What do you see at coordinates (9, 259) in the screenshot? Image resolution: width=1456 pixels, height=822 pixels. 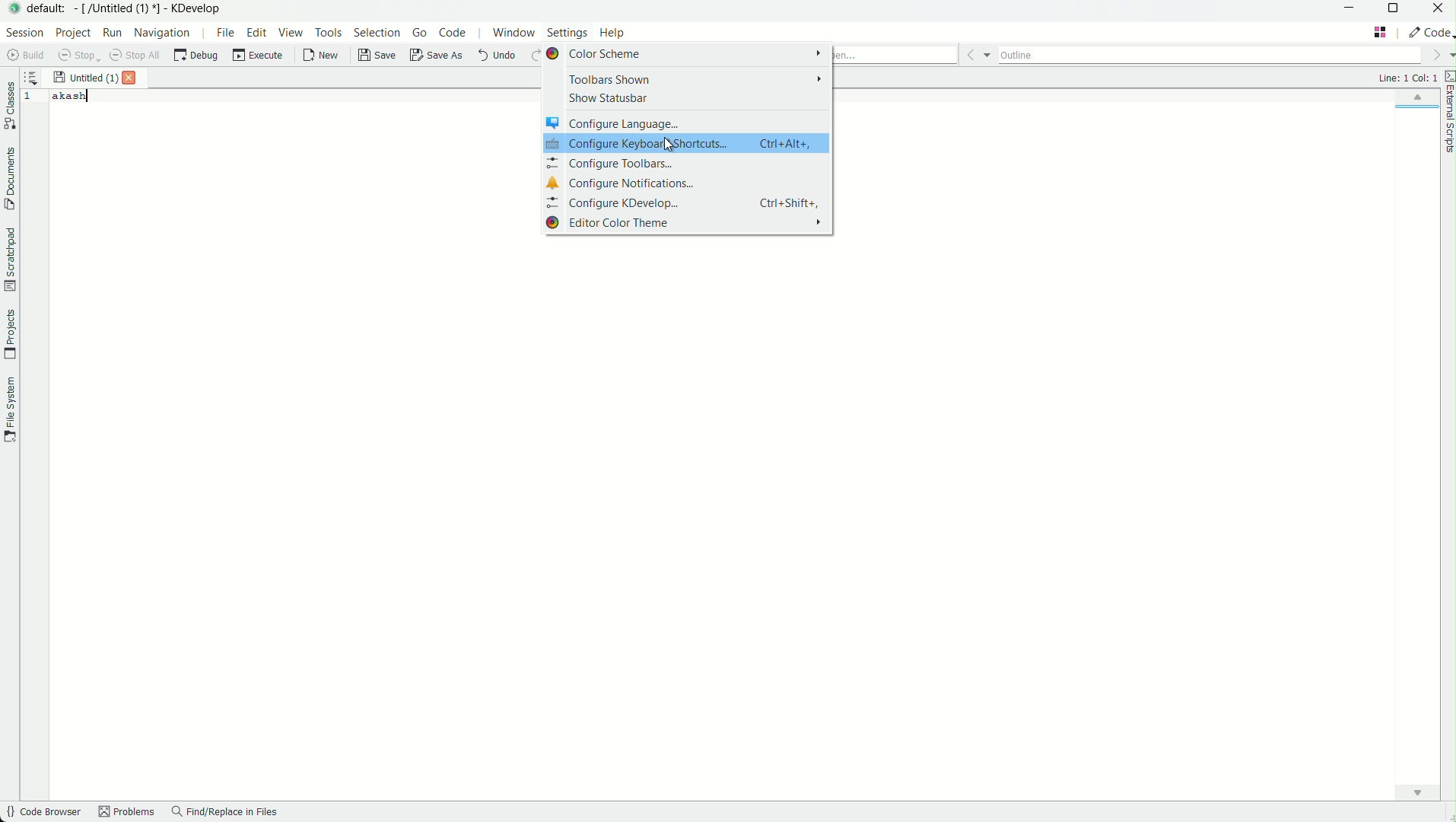 I see `scratchpad` at bounding box center [9, 259].